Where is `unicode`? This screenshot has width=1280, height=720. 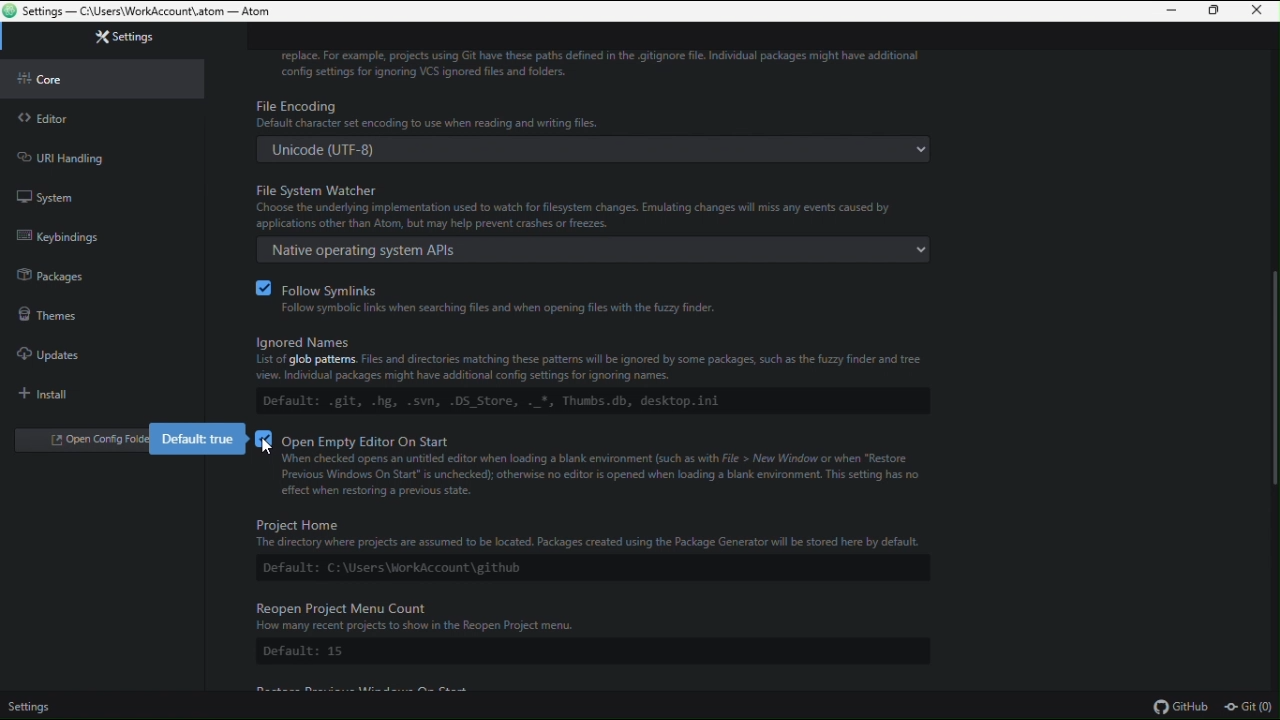 unicode is located at coordinates (597, 148).